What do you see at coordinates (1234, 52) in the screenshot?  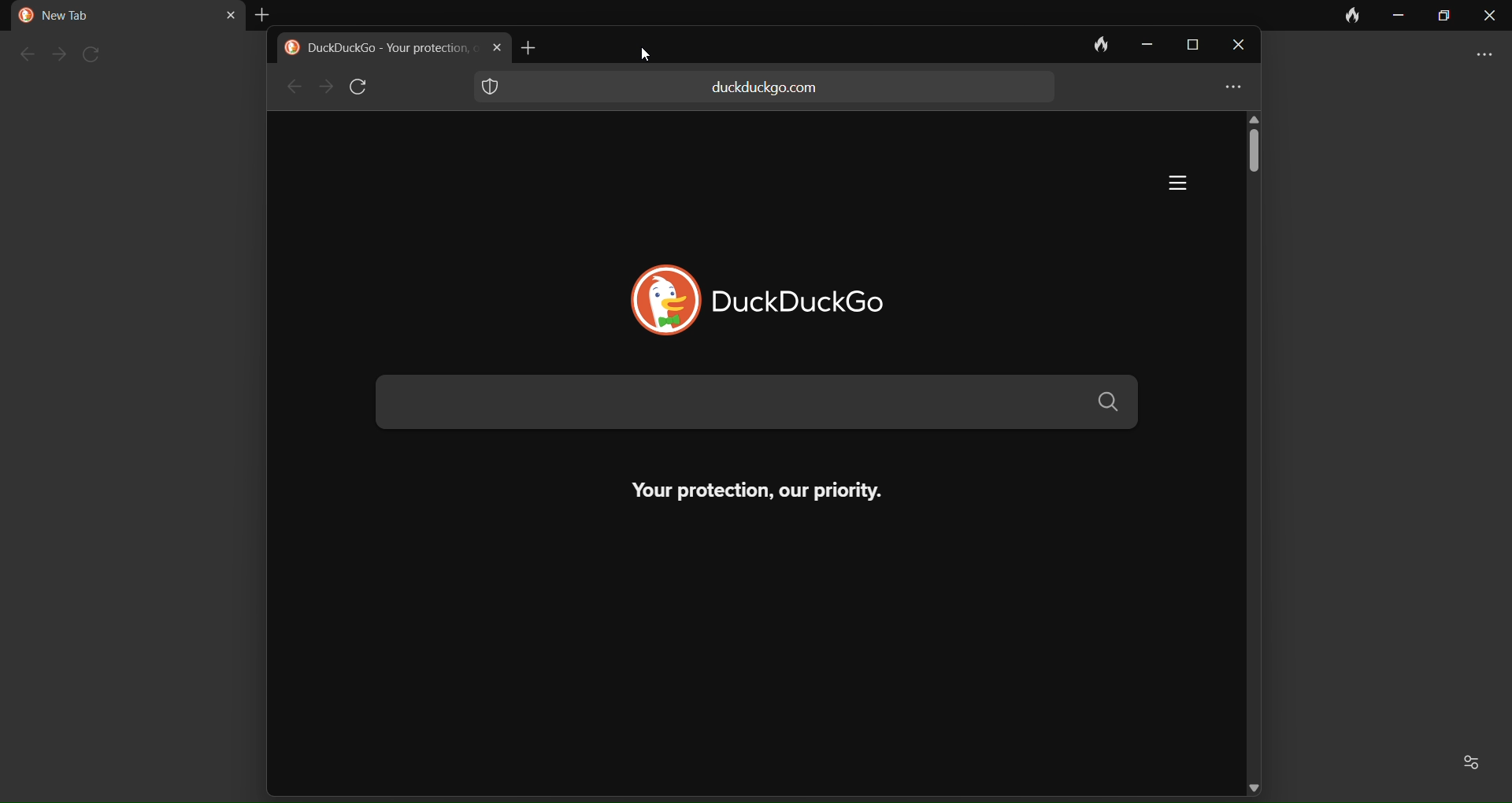 I see `bookmark` at bounding box center [1234, 52].